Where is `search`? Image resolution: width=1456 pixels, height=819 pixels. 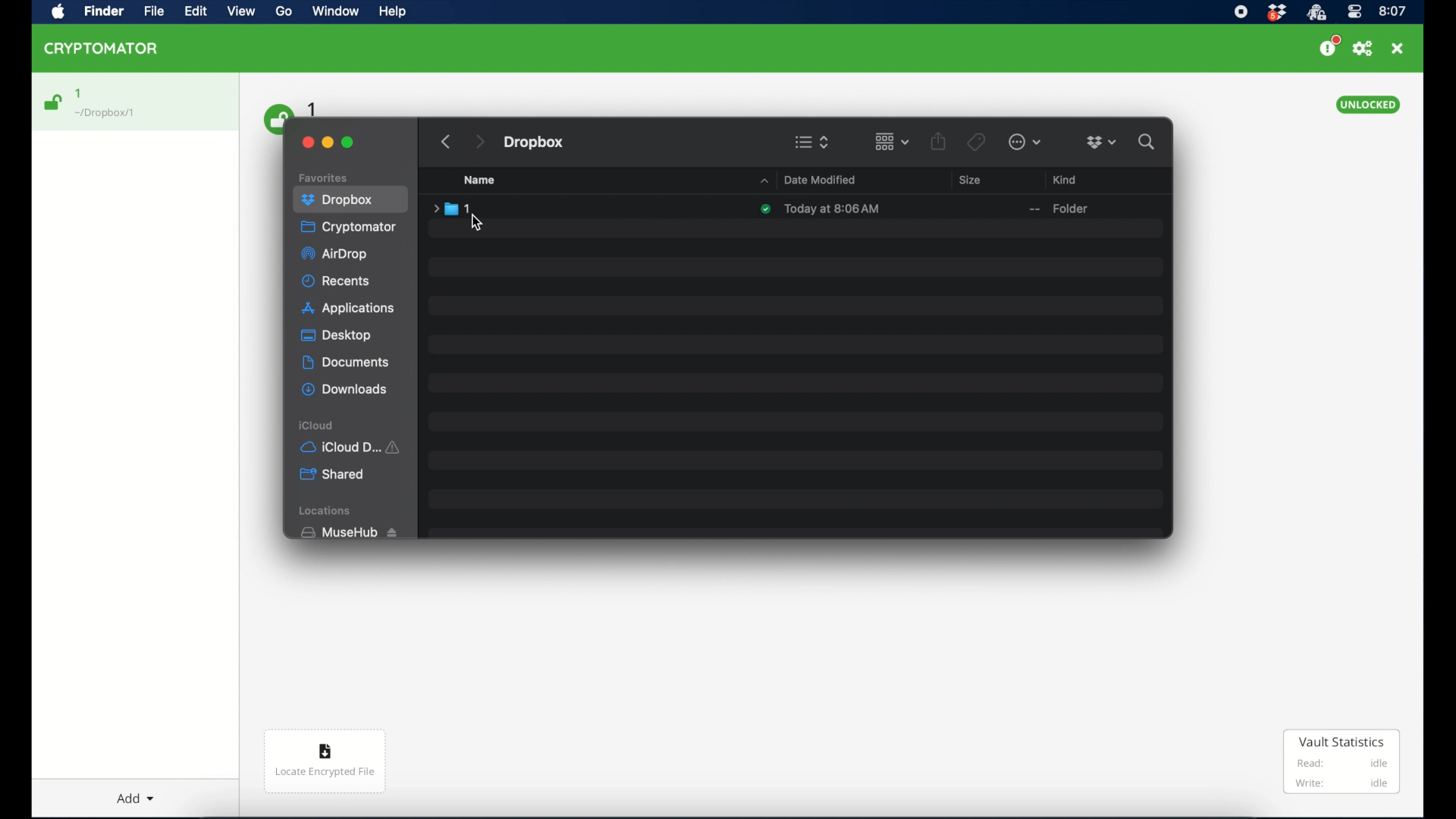
search is located at coordinates (1150, 142).